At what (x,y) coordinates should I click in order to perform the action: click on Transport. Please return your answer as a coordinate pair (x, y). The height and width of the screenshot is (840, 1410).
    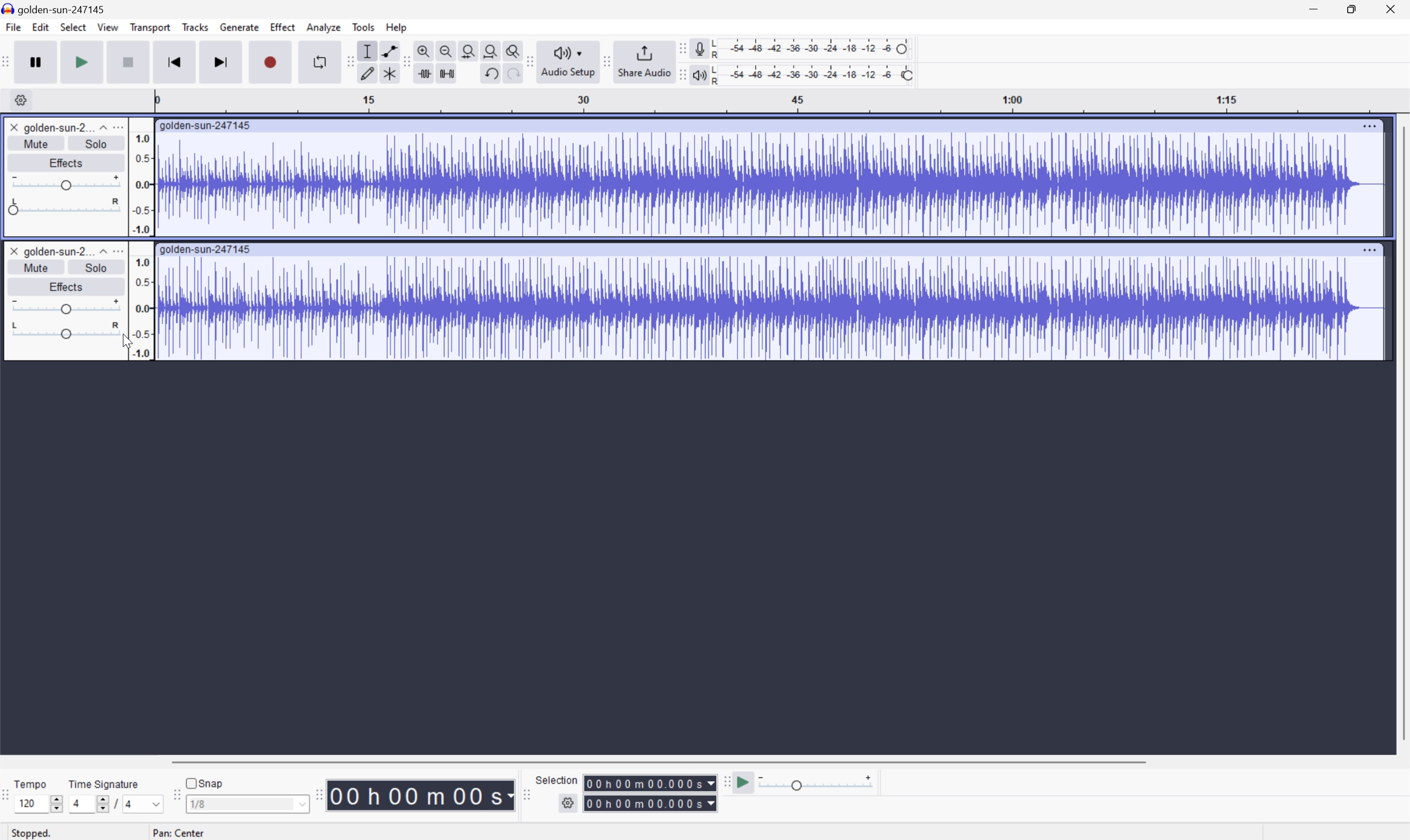
    Looking at the image, I should click on (151, 27).